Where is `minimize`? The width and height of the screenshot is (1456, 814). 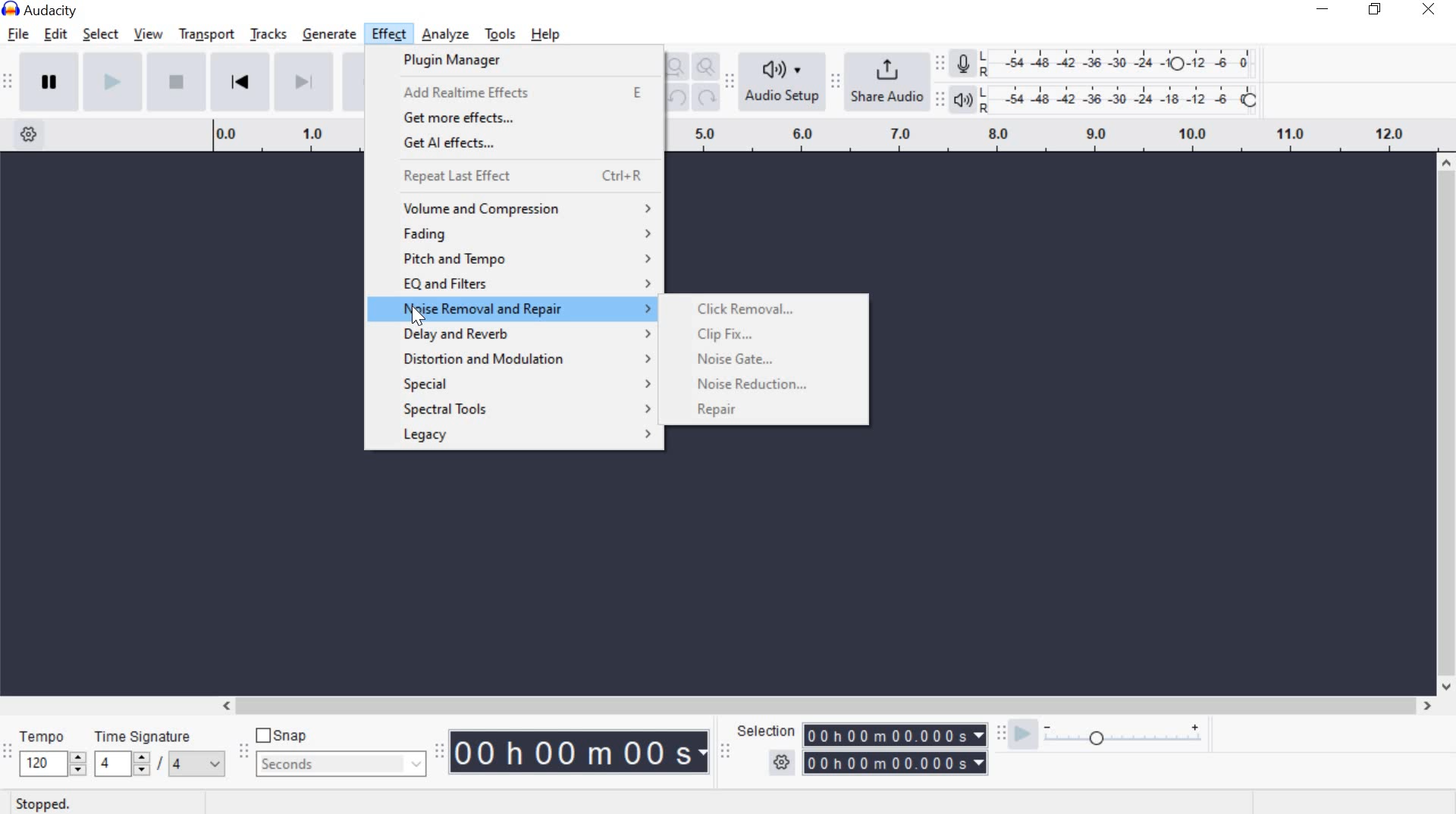 minimize is located at coordinates (1320, 8).